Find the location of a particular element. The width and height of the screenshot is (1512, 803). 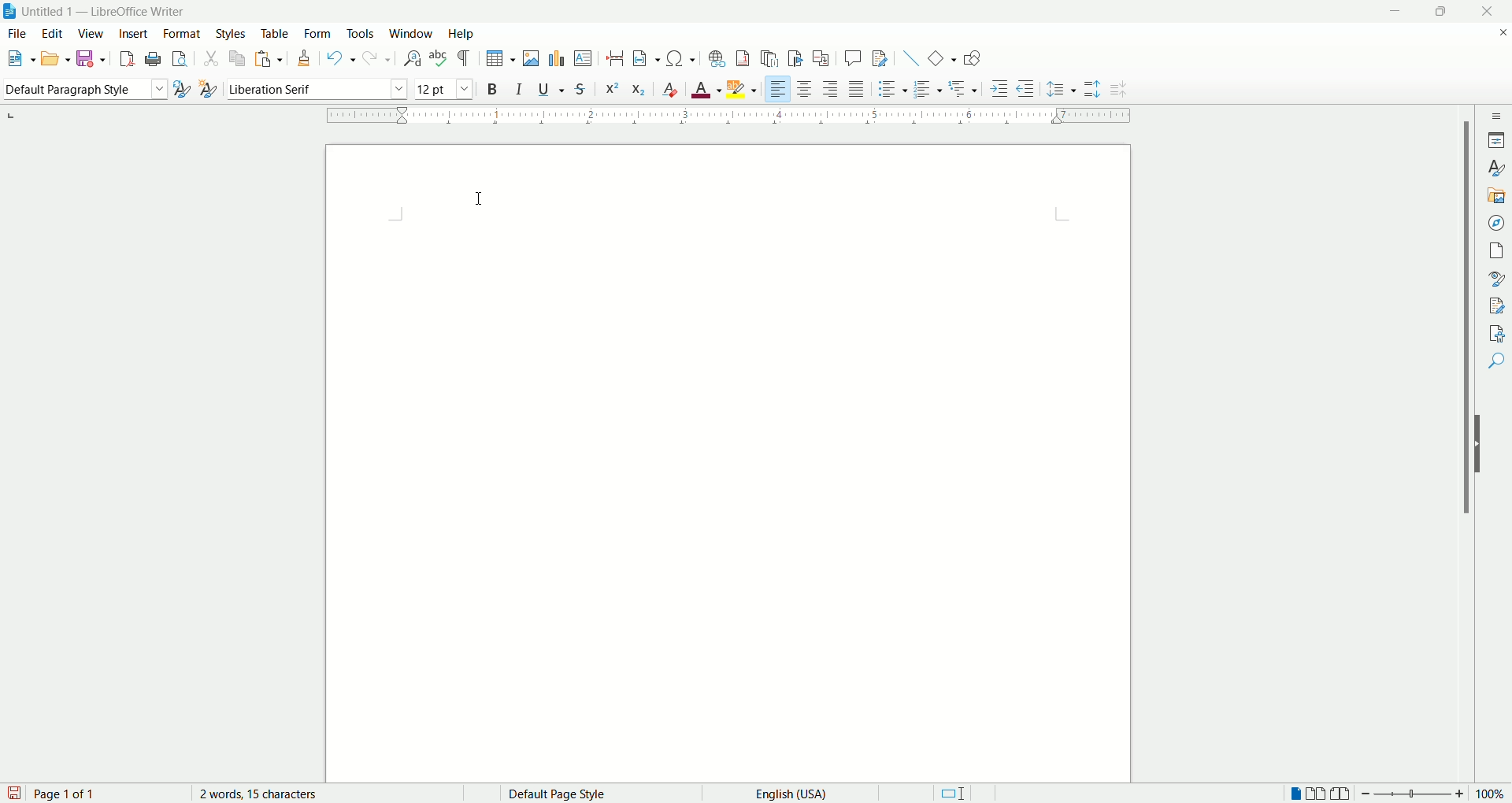

copy is located at coordinates (237, 59).